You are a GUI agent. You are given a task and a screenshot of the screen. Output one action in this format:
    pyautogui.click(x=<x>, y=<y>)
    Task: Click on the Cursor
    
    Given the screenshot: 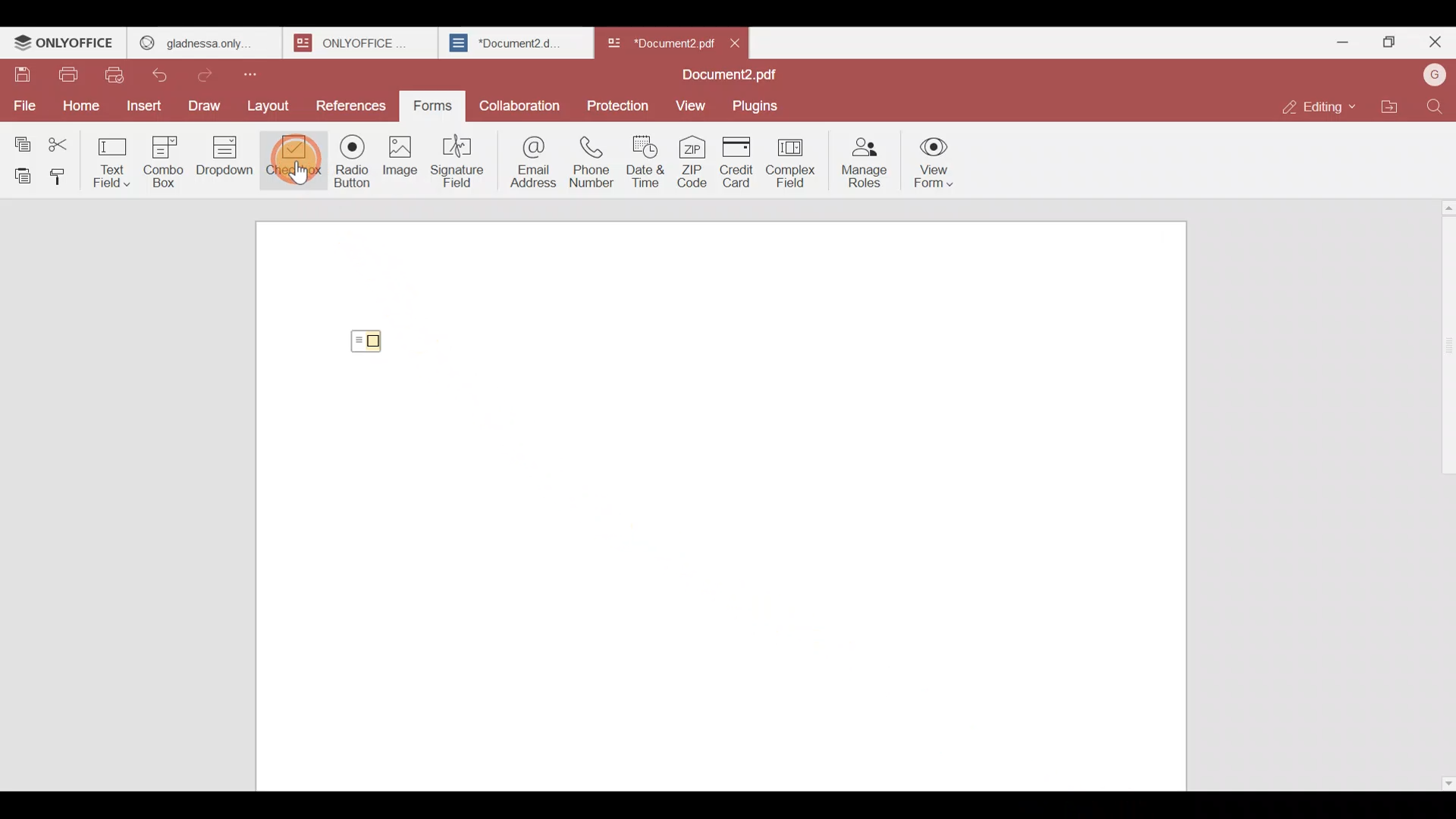 What is the action you would take?
    pyautogui.click(x=294, y=171)
    